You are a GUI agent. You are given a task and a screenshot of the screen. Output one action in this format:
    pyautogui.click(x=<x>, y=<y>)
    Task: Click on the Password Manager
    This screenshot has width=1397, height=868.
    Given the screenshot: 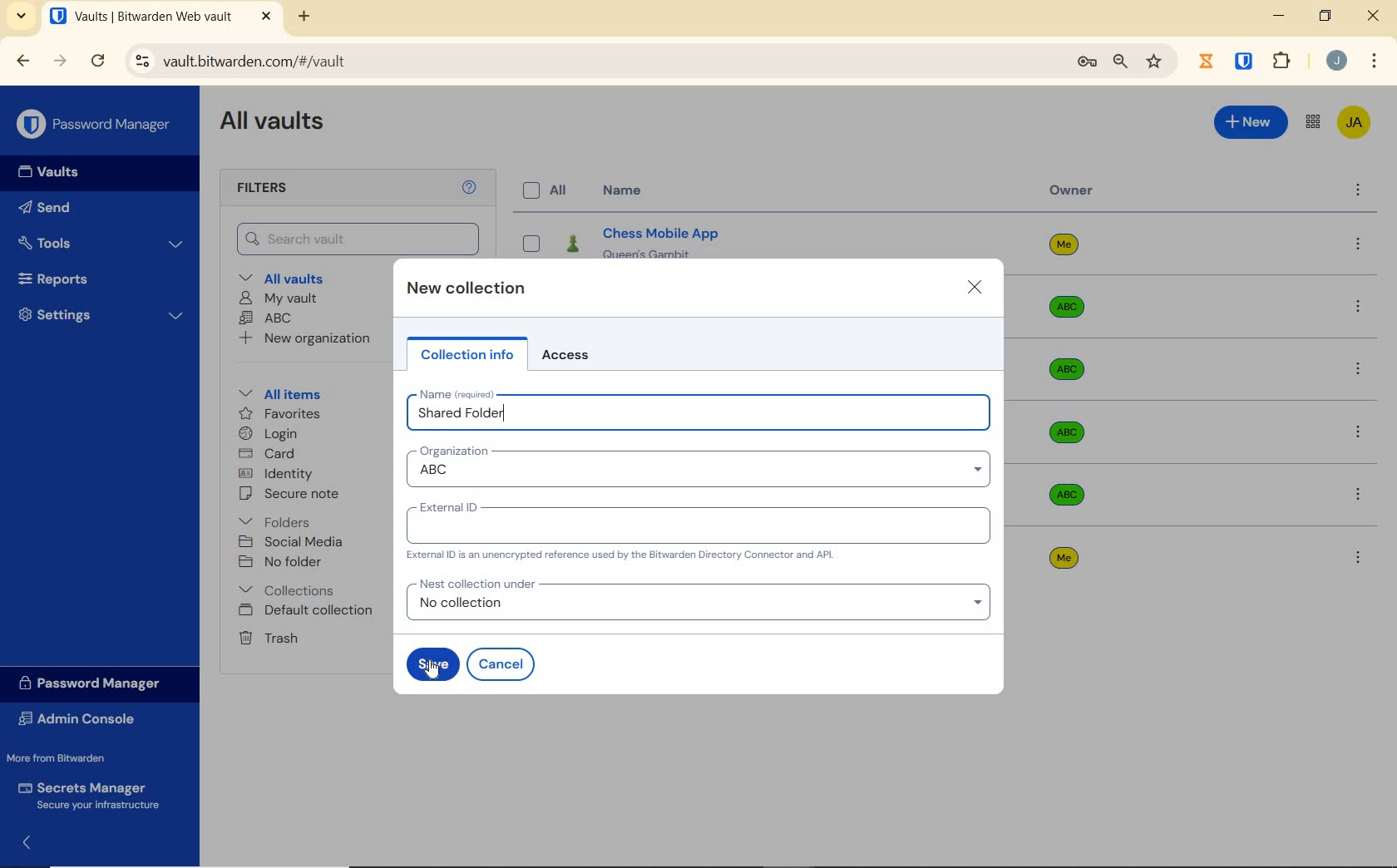 What is the action you would take?
    pyautogui.click(x=96, y=125)
    